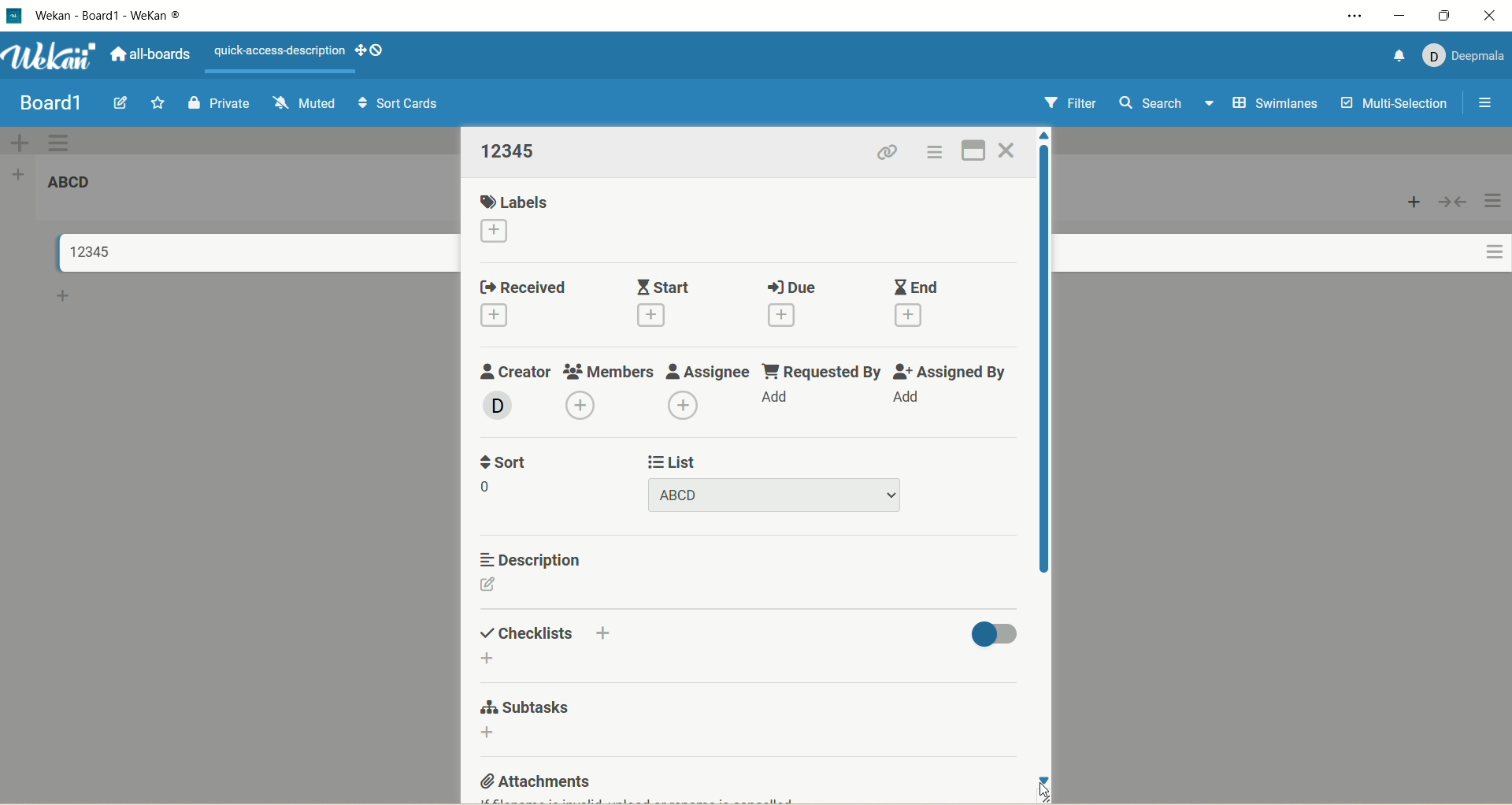  I want to click on show-desktop-drag-handles, so click(357, 48).